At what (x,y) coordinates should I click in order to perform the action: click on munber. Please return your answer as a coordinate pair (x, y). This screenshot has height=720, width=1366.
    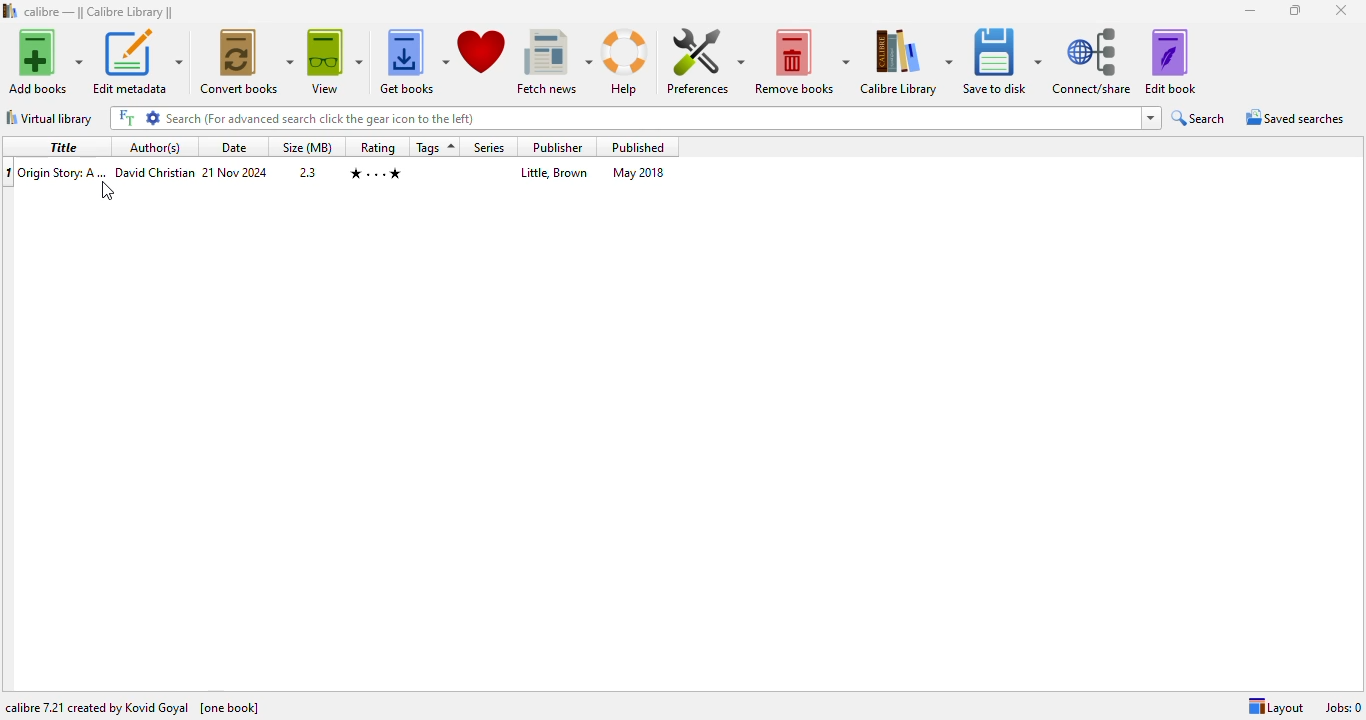
    Looking at the image, I should click on (8, 174).